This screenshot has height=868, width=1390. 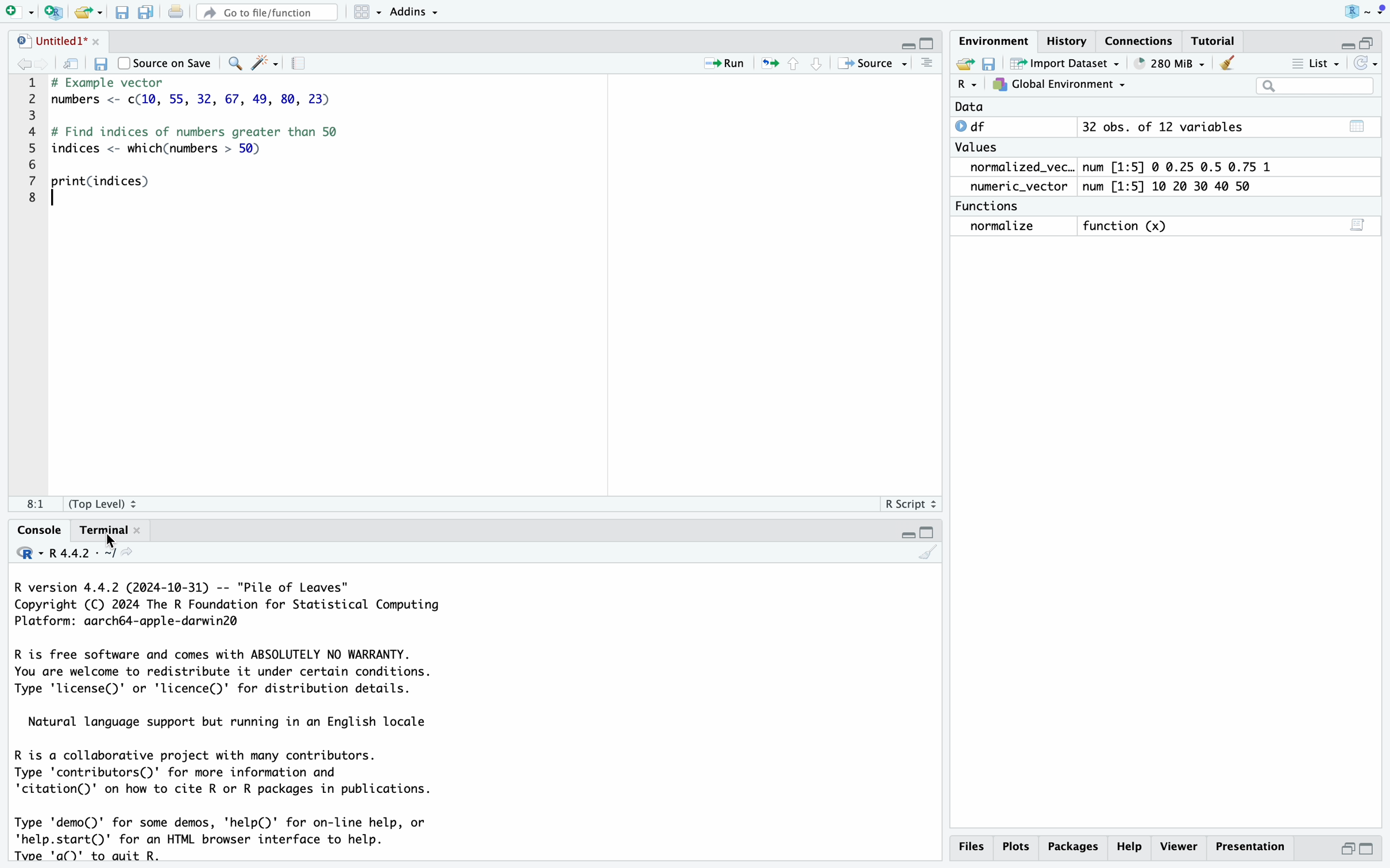 What do you see at coordinates (1368, 63) in the screenshot?
I see `REFRESH` at bounding box center [1368, 63].